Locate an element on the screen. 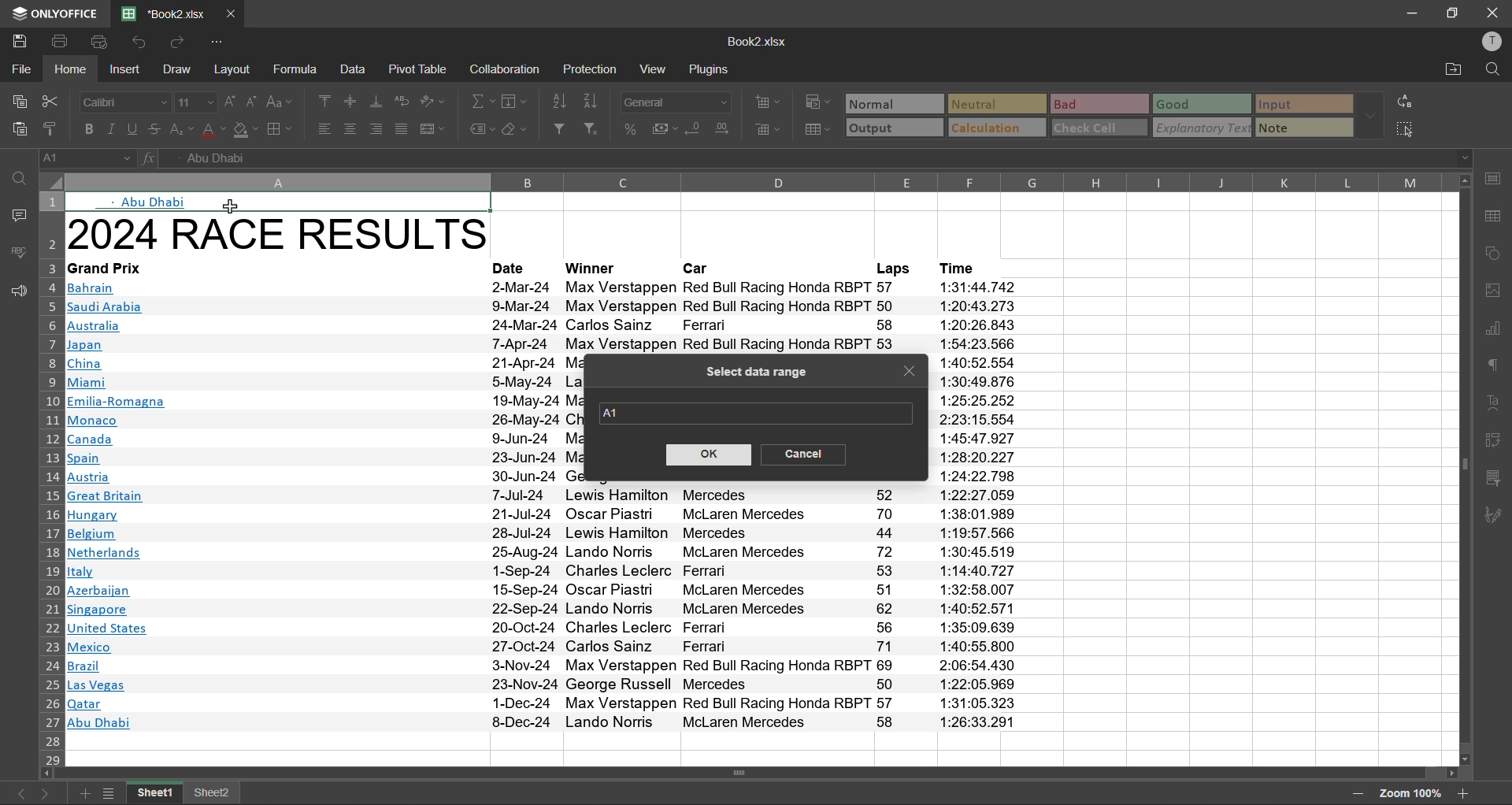 Image resolution: width=1512 pixels, height=805 pixels. home is located at coordinates (66, 69).